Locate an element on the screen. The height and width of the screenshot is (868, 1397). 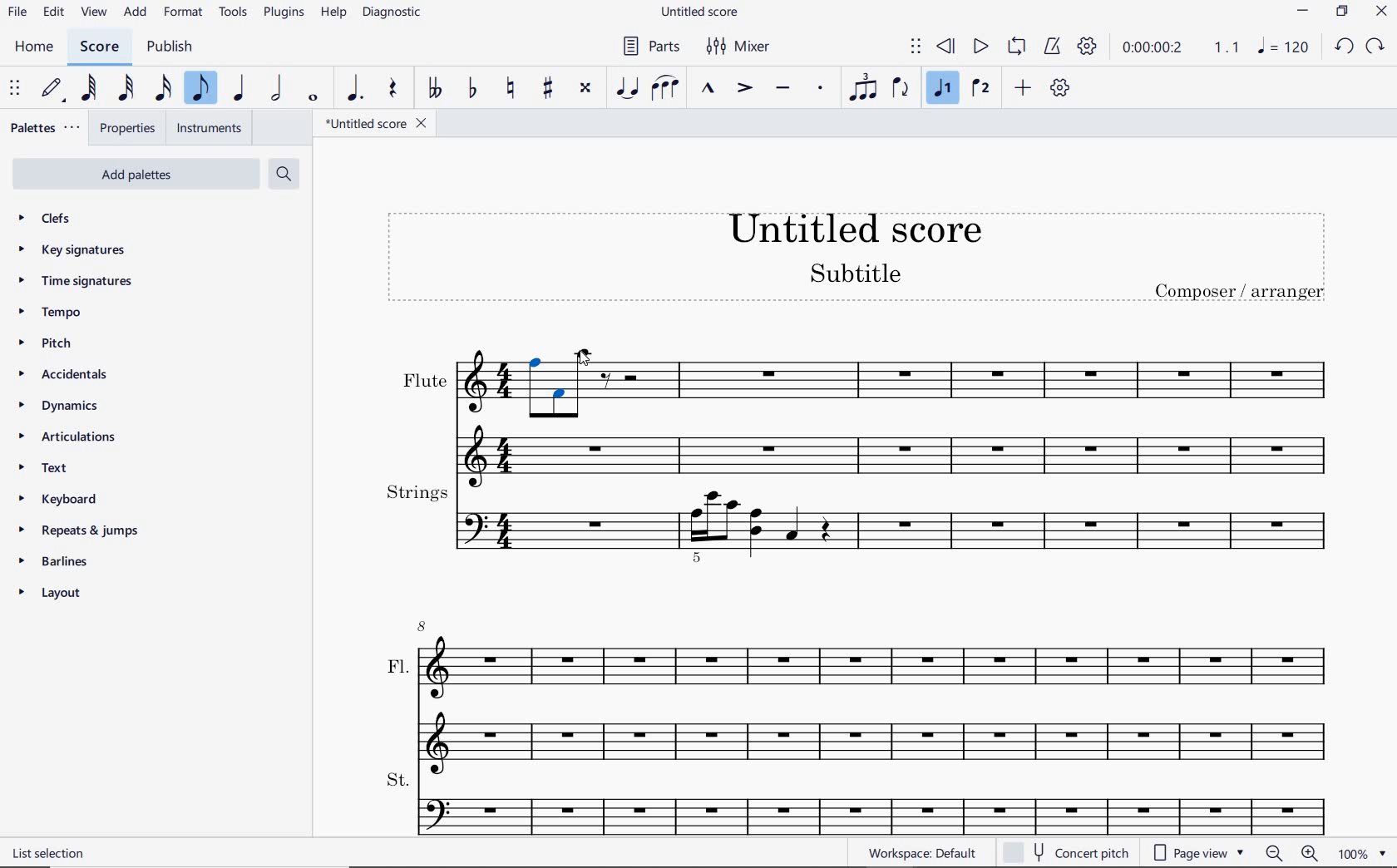
INSTRUMENTS is located at coordinates (210, 128).